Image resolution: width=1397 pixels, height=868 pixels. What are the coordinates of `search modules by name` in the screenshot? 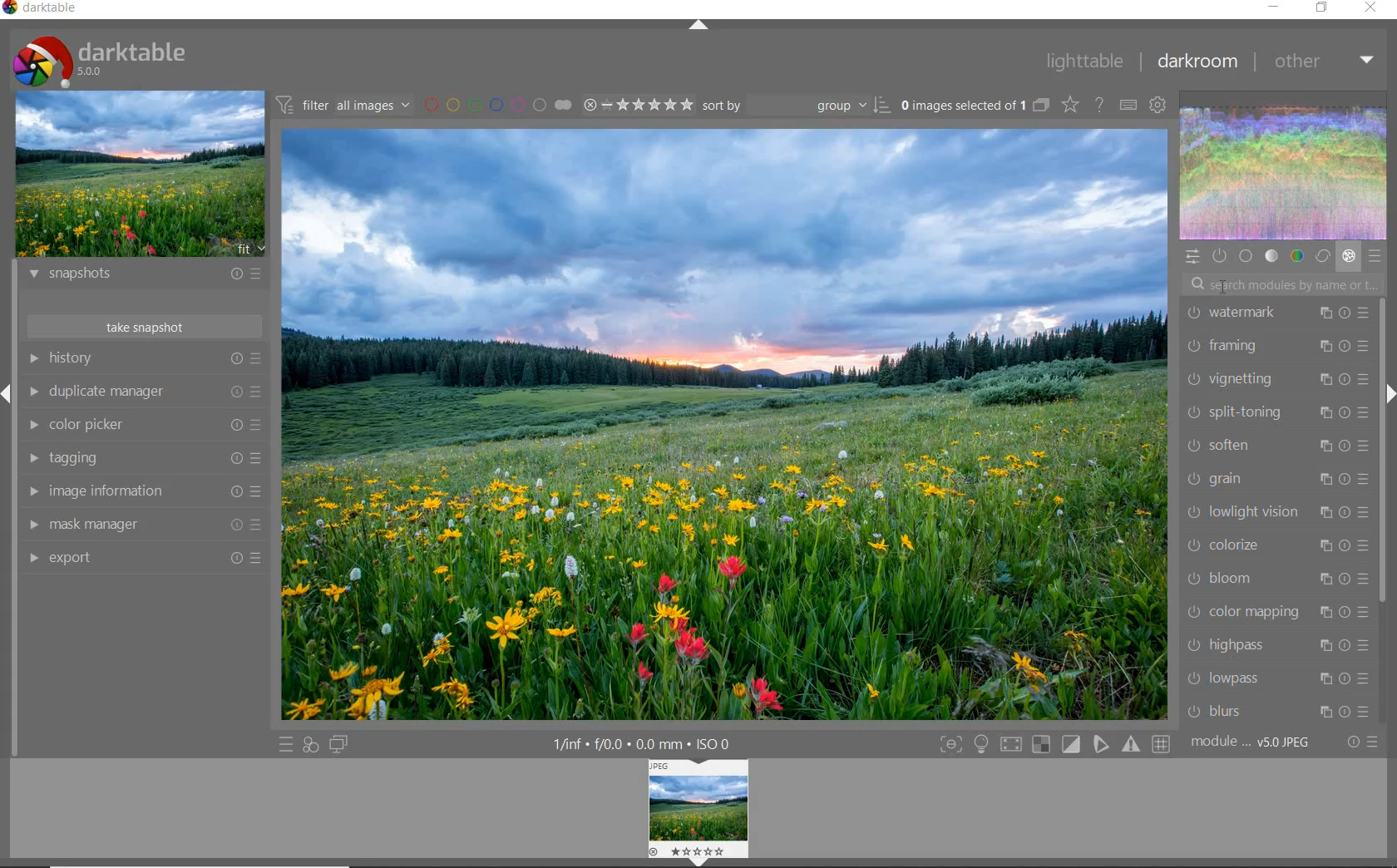 It's located at (1283, 284).